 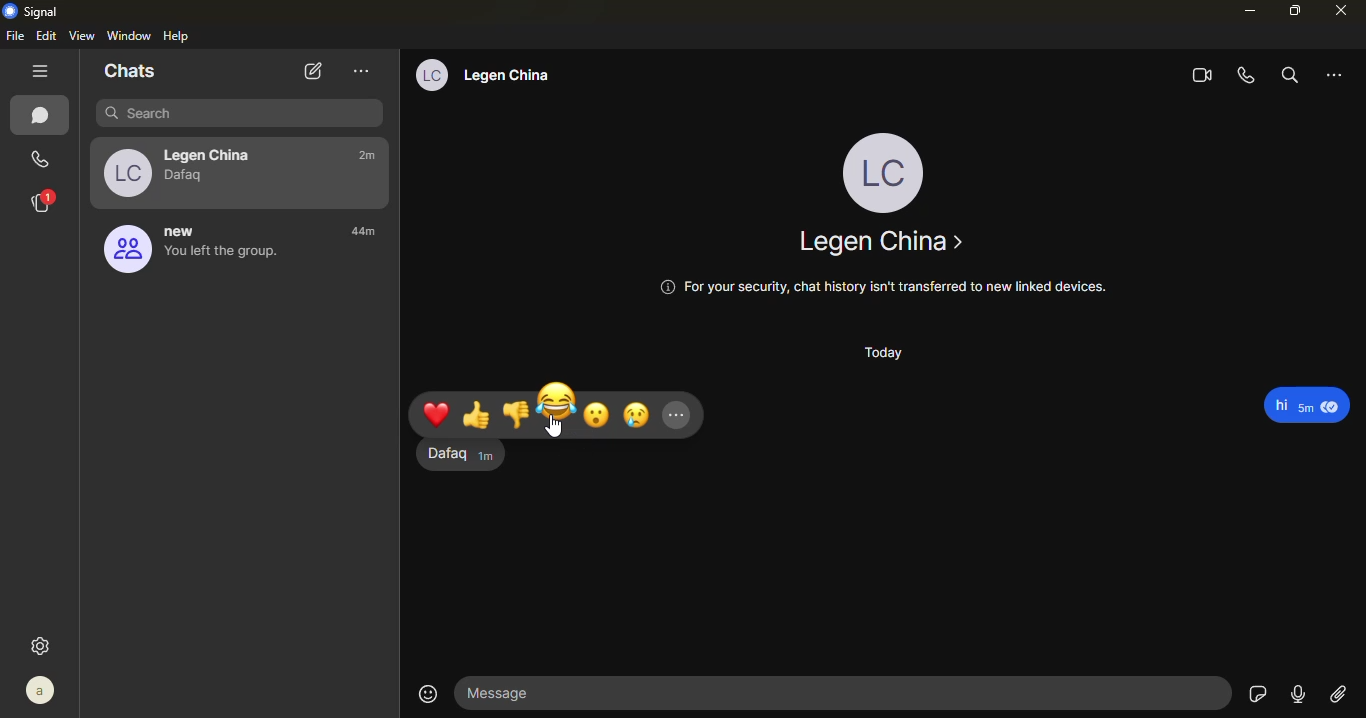 What do you see at coordinates (430, 75) in the screenshot?
I see `lc profile` at bounding box center [430, 75].